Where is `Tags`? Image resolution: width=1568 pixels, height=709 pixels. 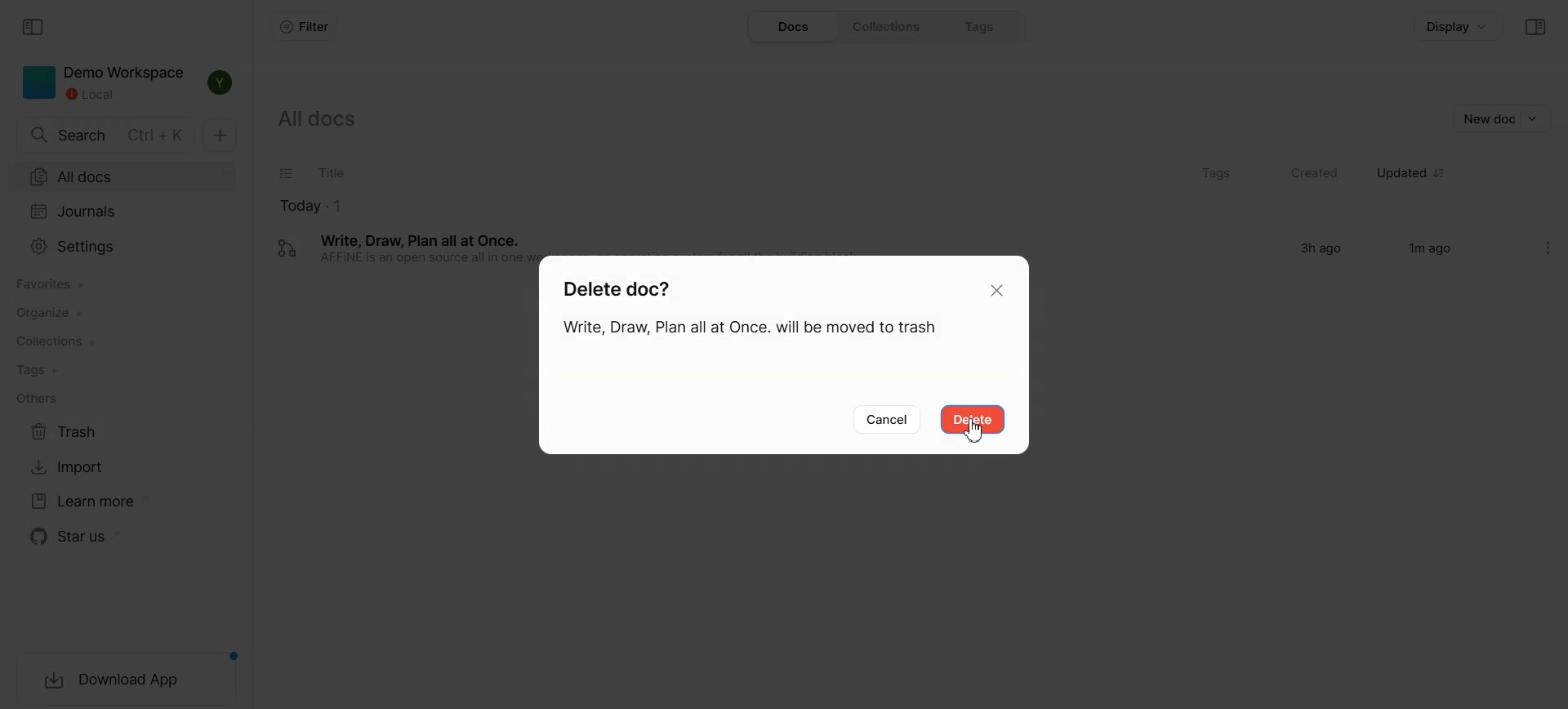
Tags is located at coordinates (987, 26).